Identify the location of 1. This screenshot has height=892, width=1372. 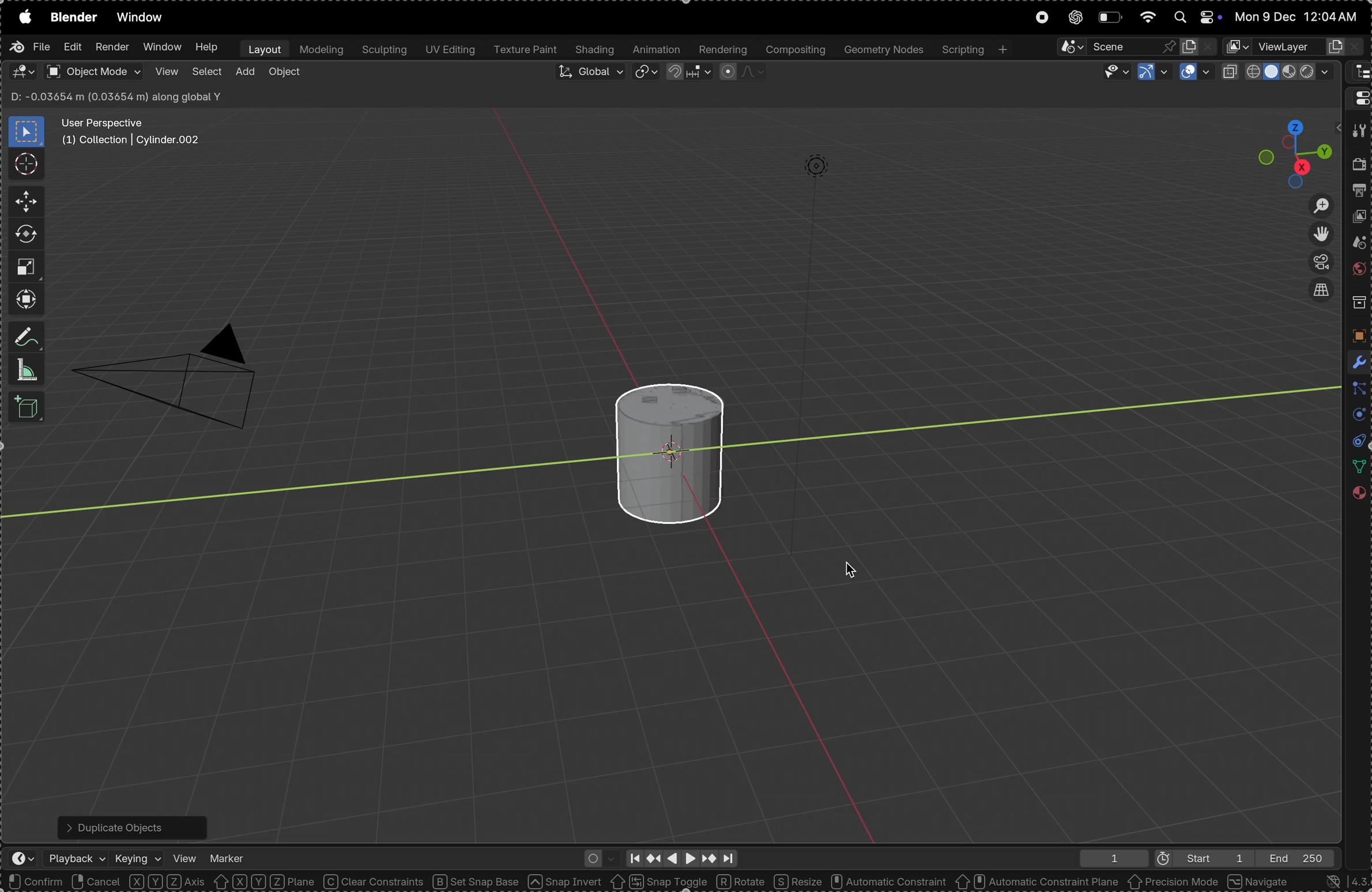
(1109, 858).